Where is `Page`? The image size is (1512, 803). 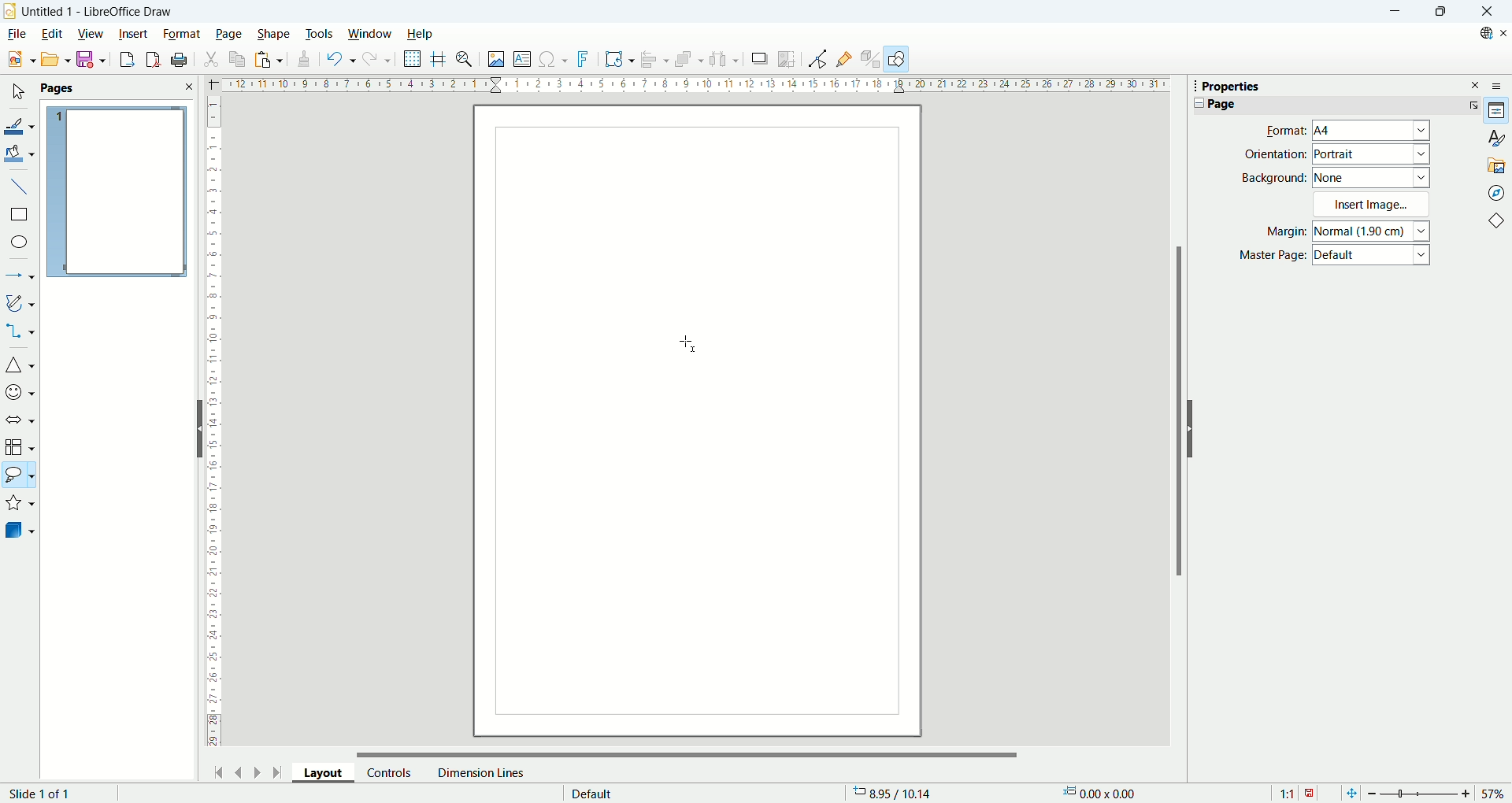
Page is located at coordinates (1221, 104).